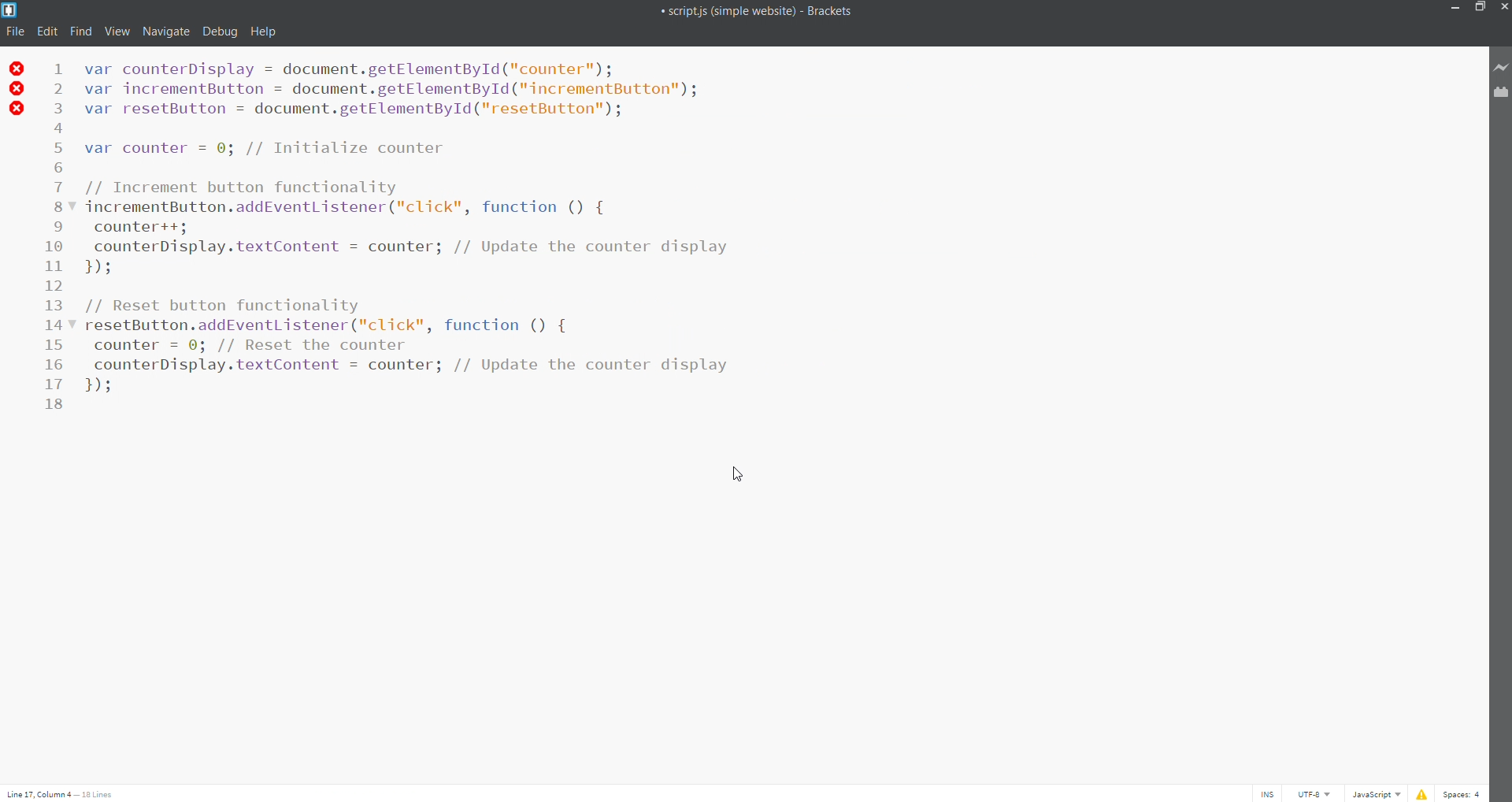 Image resolution: width=1512 pixels, height=802 pixels. I want to click on show errors, so click(1421, 793).